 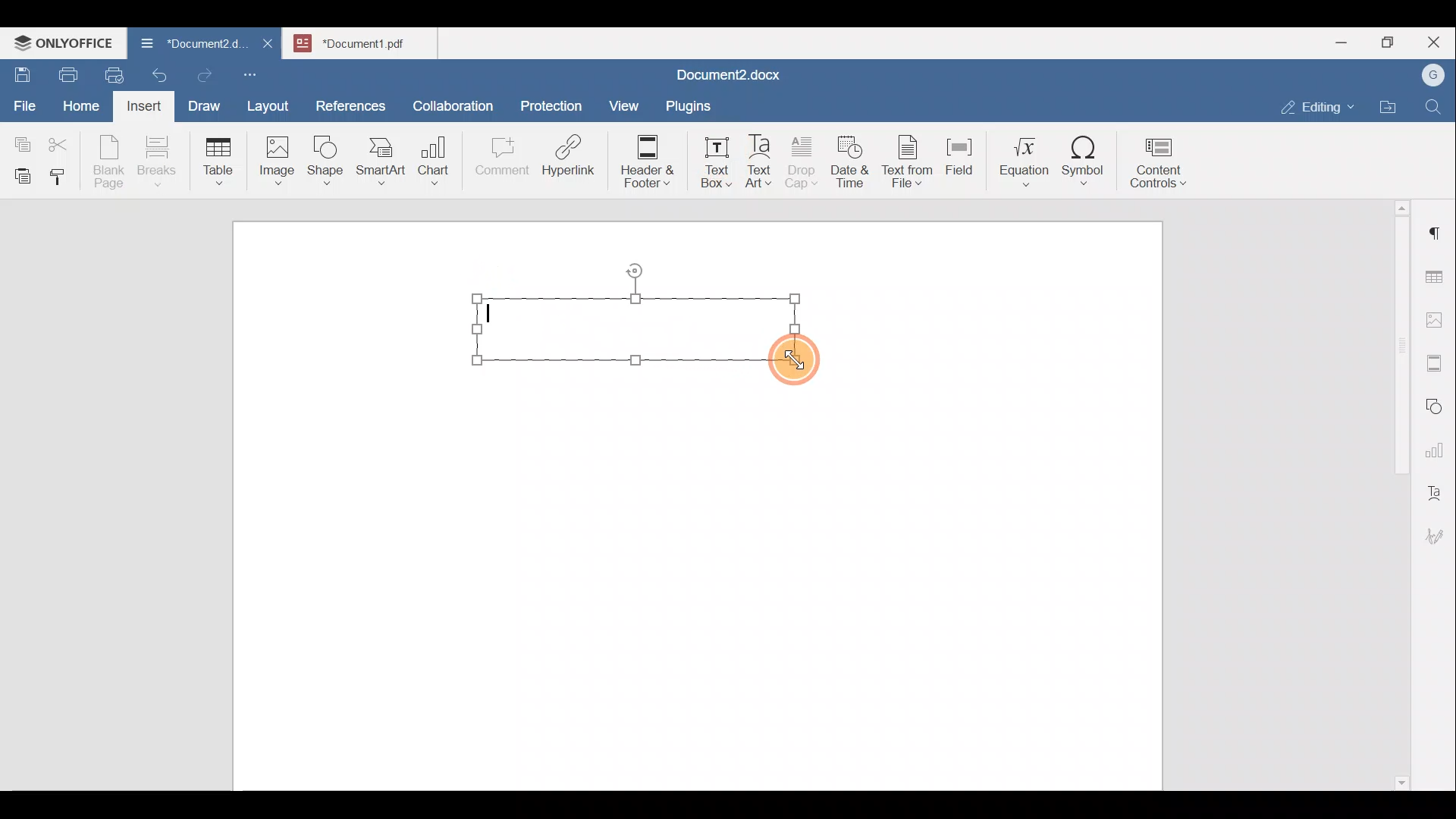 What do you see at coordinates (625, 101) in the screenshot?
I see `View` at bounding box center [625, 101].